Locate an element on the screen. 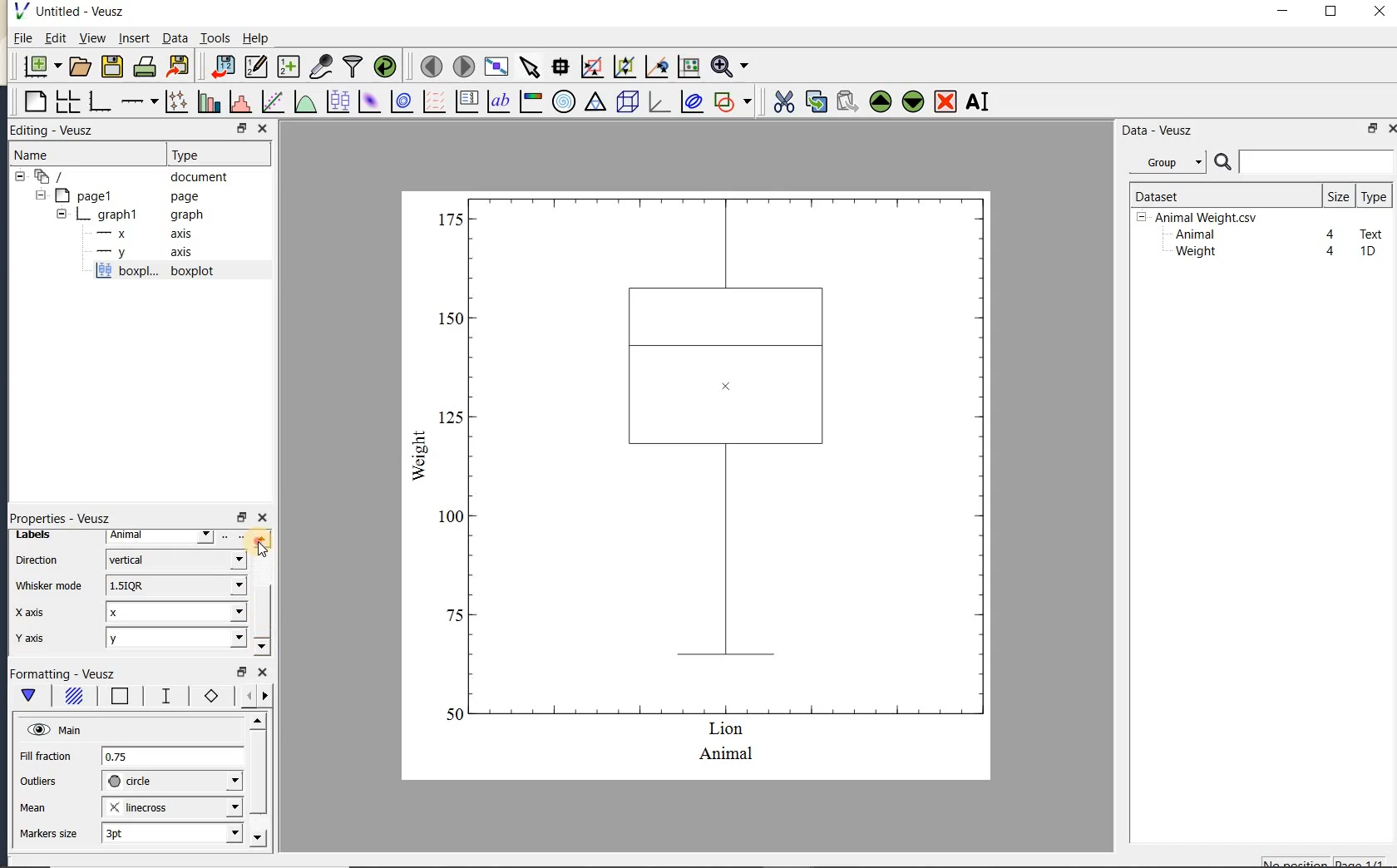  box plot is located at coordinates (698, 484).